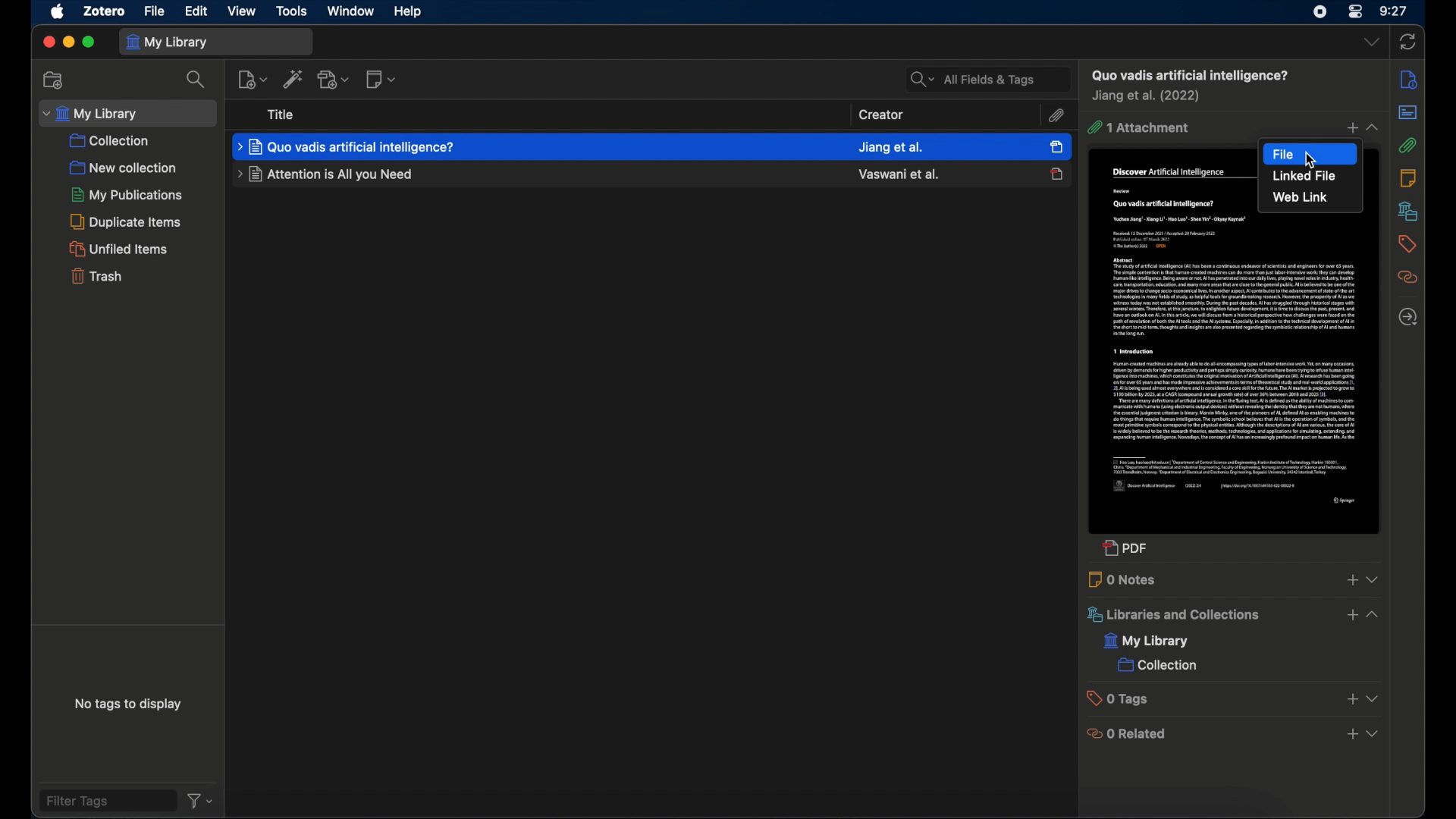 Image resolution: width=1456 pixels, height=819 pixels. Describe the element at coordinates (1356, 13) in the screenshot. I see `control center` at that location.